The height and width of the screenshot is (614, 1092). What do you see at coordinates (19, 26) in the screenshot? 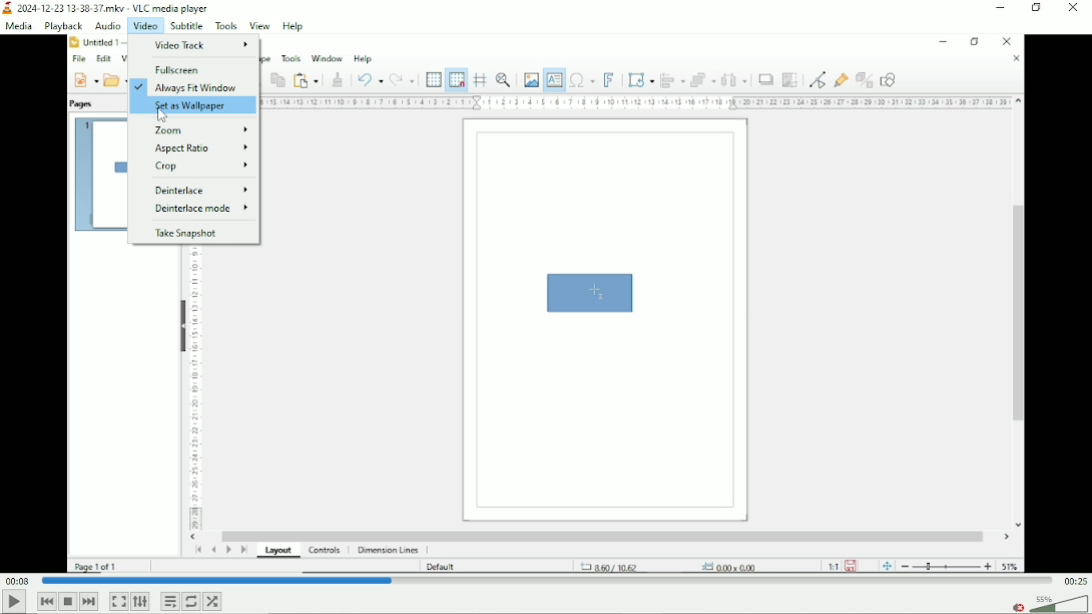
I see `Media` at bounding box center [19, 26].